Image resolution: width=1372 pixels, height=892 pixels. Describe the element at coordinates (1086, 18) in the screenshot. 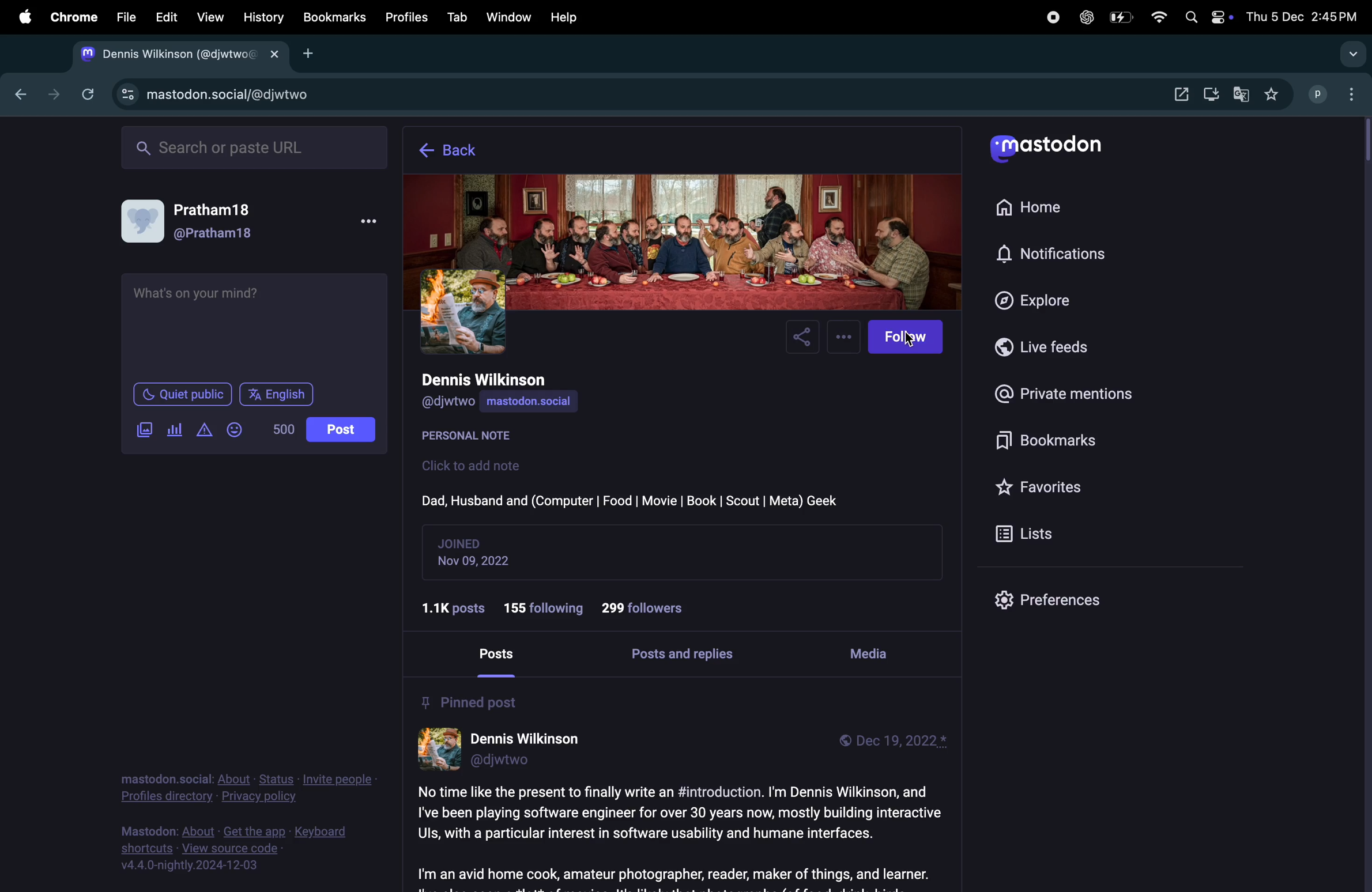

I see `chatgpt` at that location.